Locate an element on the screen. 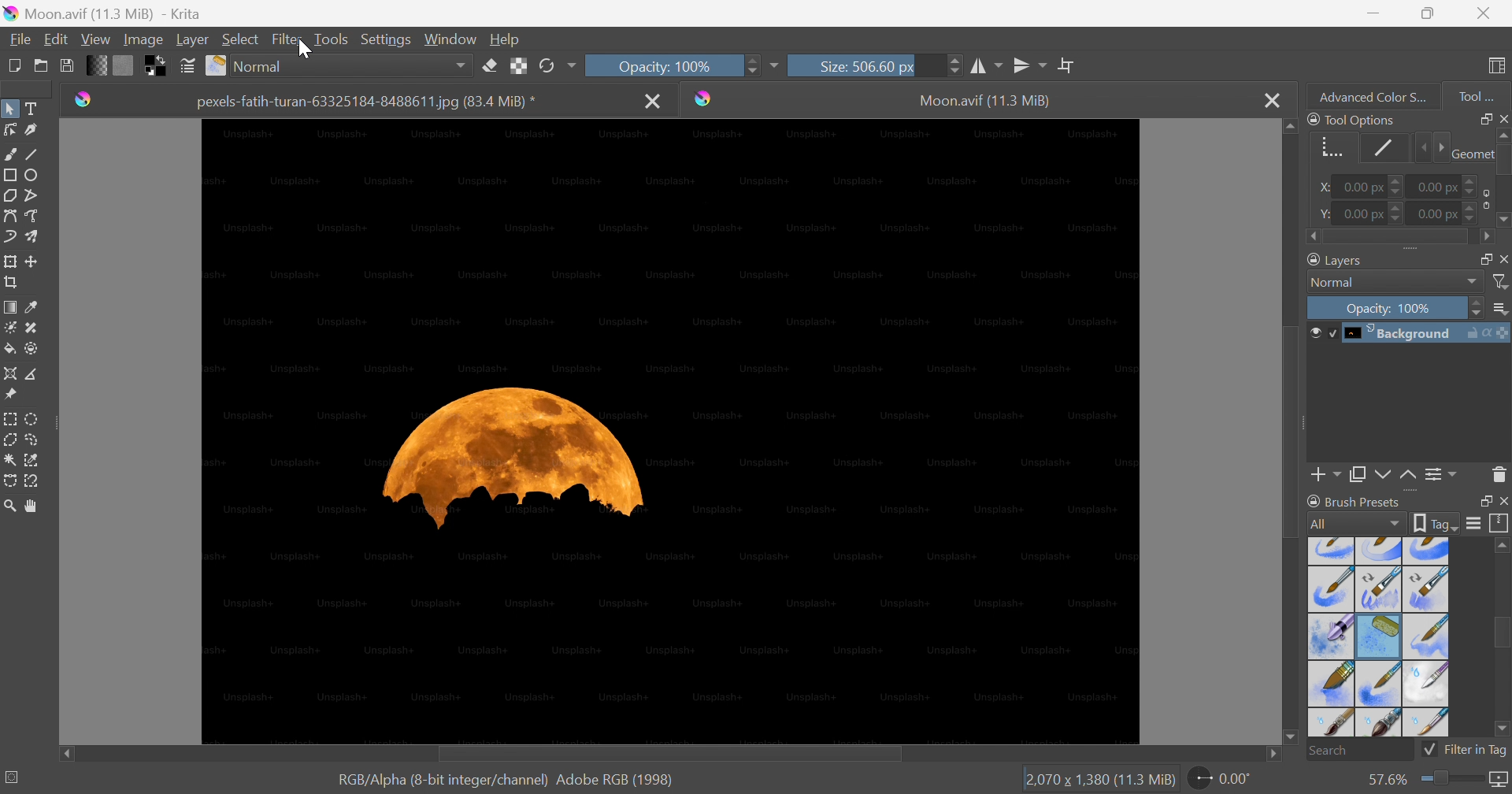  Calligraphy is located at coordinates (34, 129).